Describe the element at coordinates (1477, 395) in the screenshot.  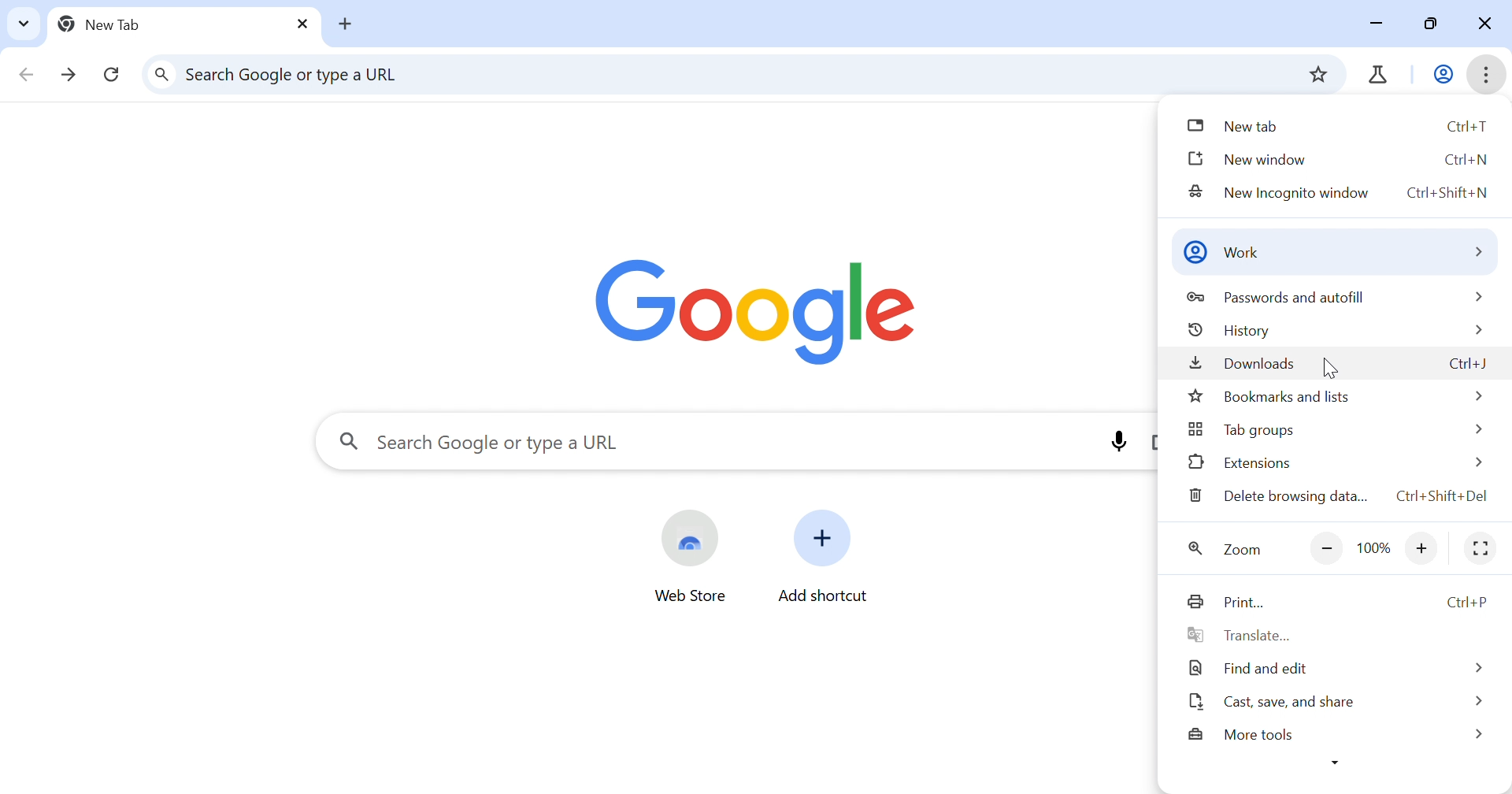
I see `Arrow` at that location.